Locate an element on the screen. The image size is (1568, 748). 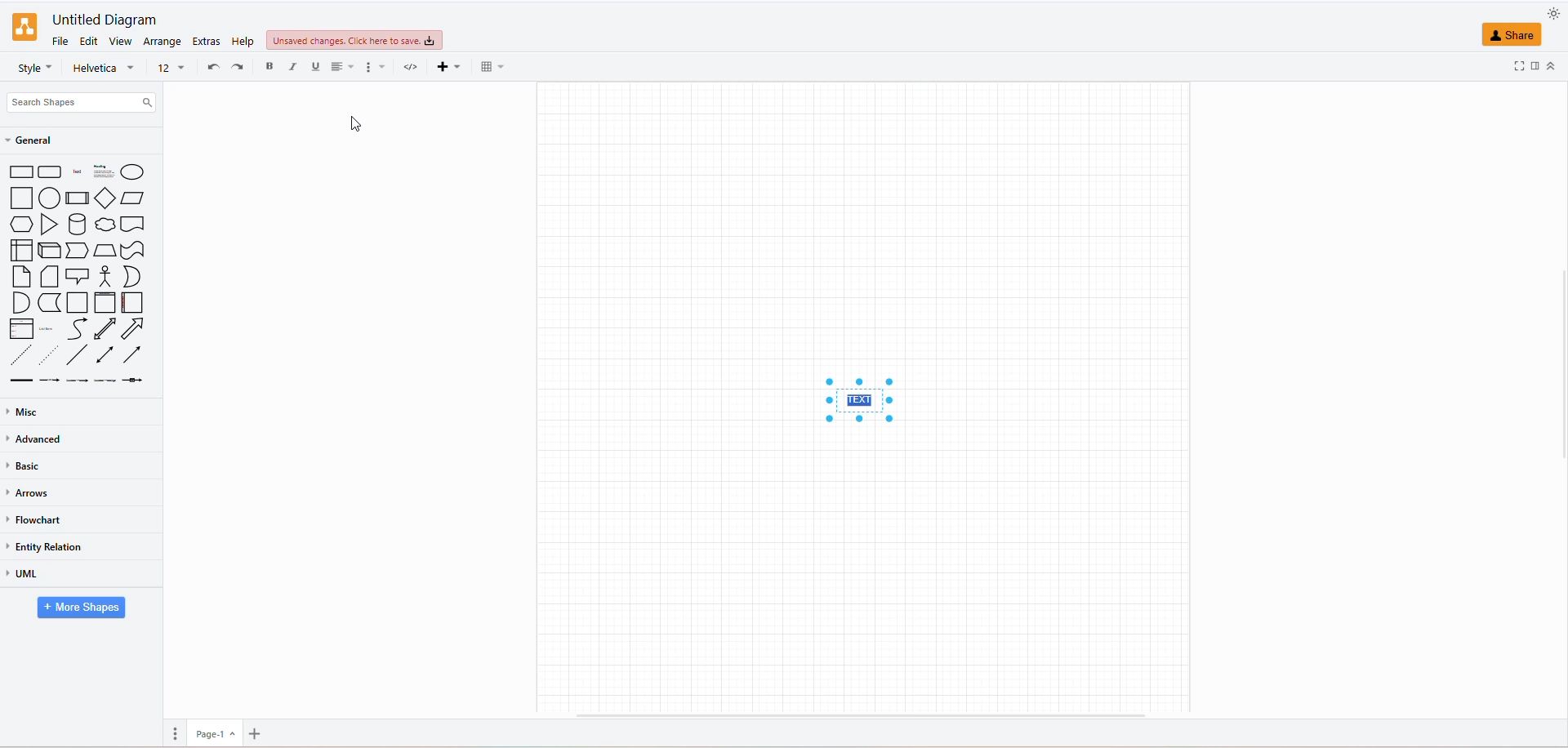
Cursor is located at coordinates (359, 123).